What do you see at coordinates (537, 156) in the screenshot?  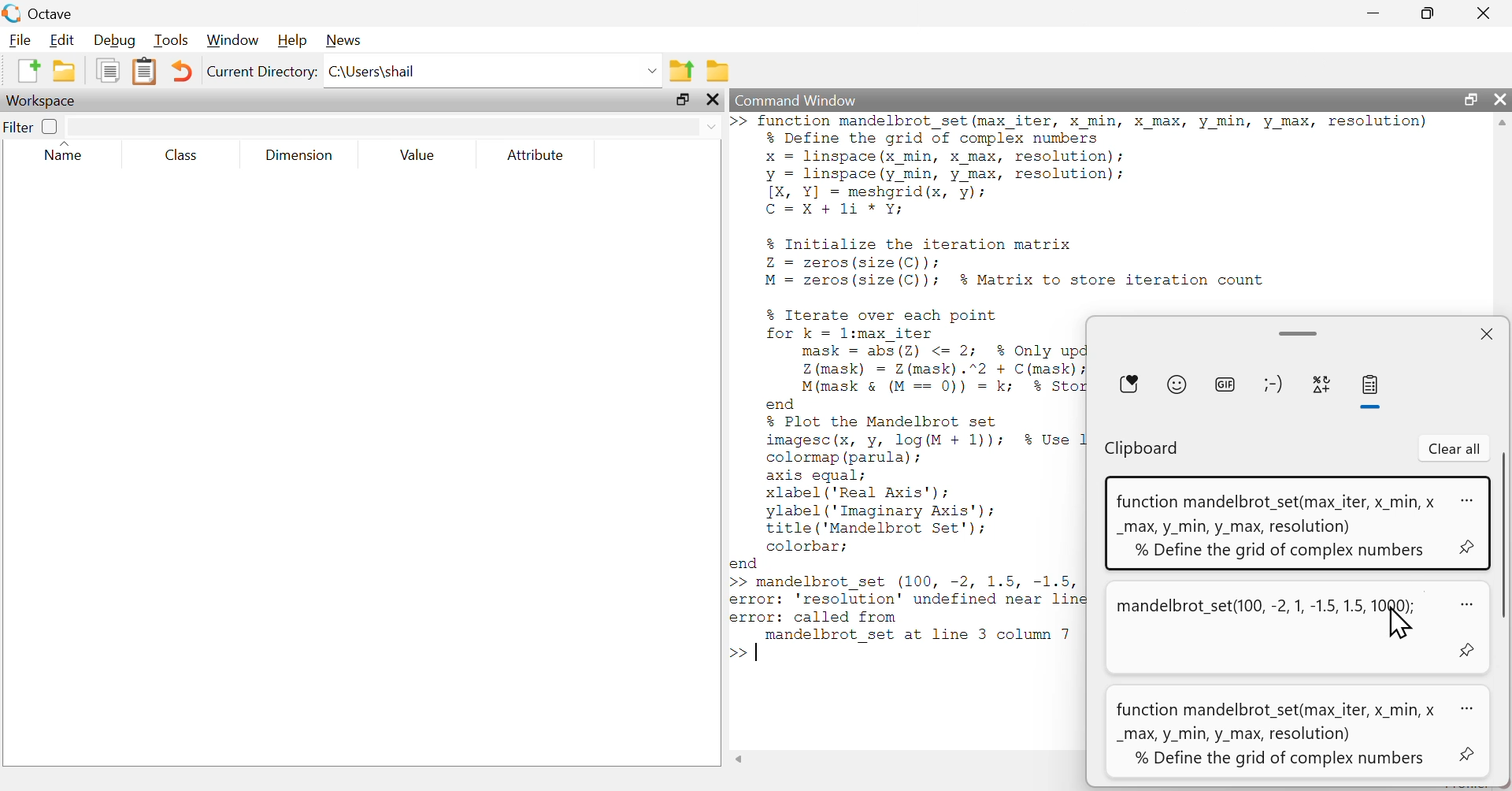 I see `Attribute` at bounding box center [537, 156].